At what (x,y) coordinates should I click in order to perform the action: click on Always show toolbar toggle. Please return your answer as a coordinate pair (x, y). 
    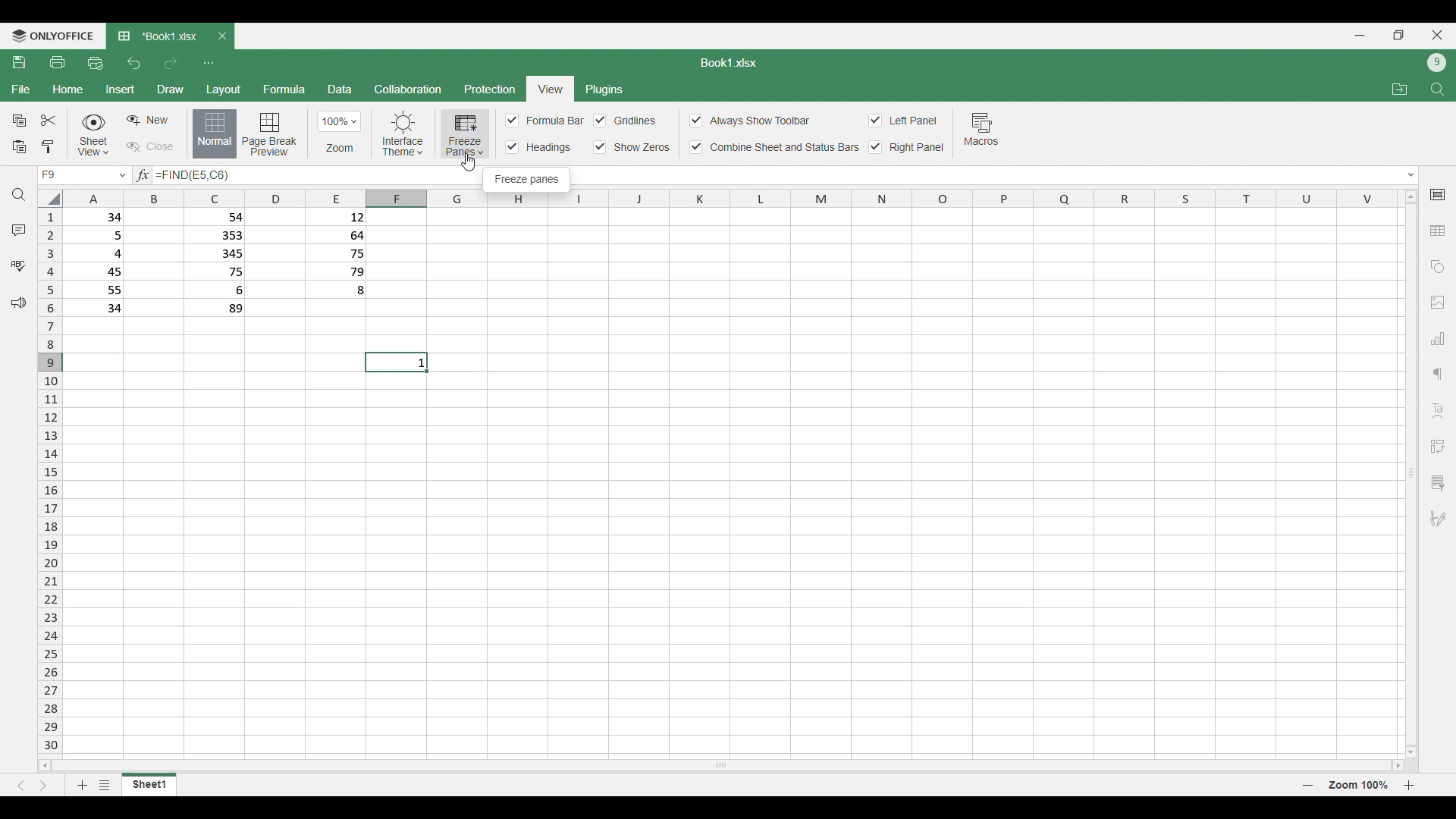
    Looking at the image, I should click on (750, 121).